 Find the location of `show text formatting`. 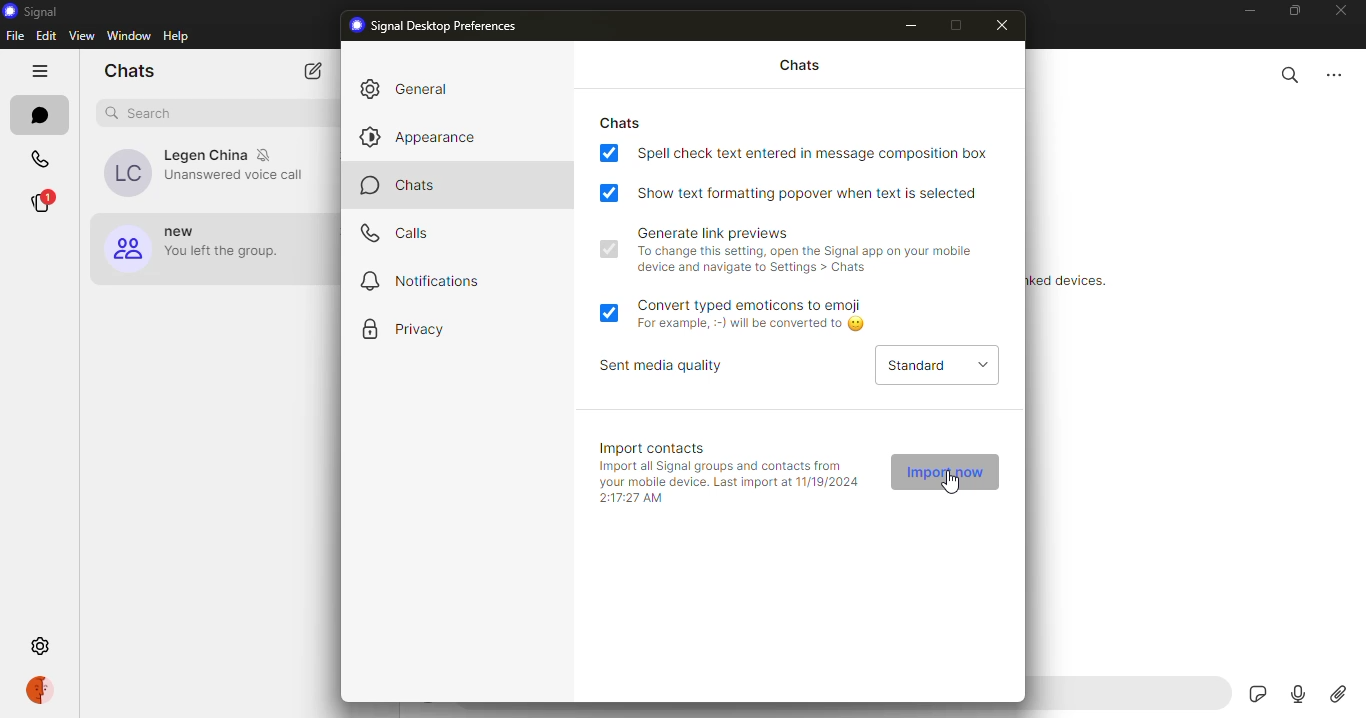

show text formatting is located at coordinates (816, 193).